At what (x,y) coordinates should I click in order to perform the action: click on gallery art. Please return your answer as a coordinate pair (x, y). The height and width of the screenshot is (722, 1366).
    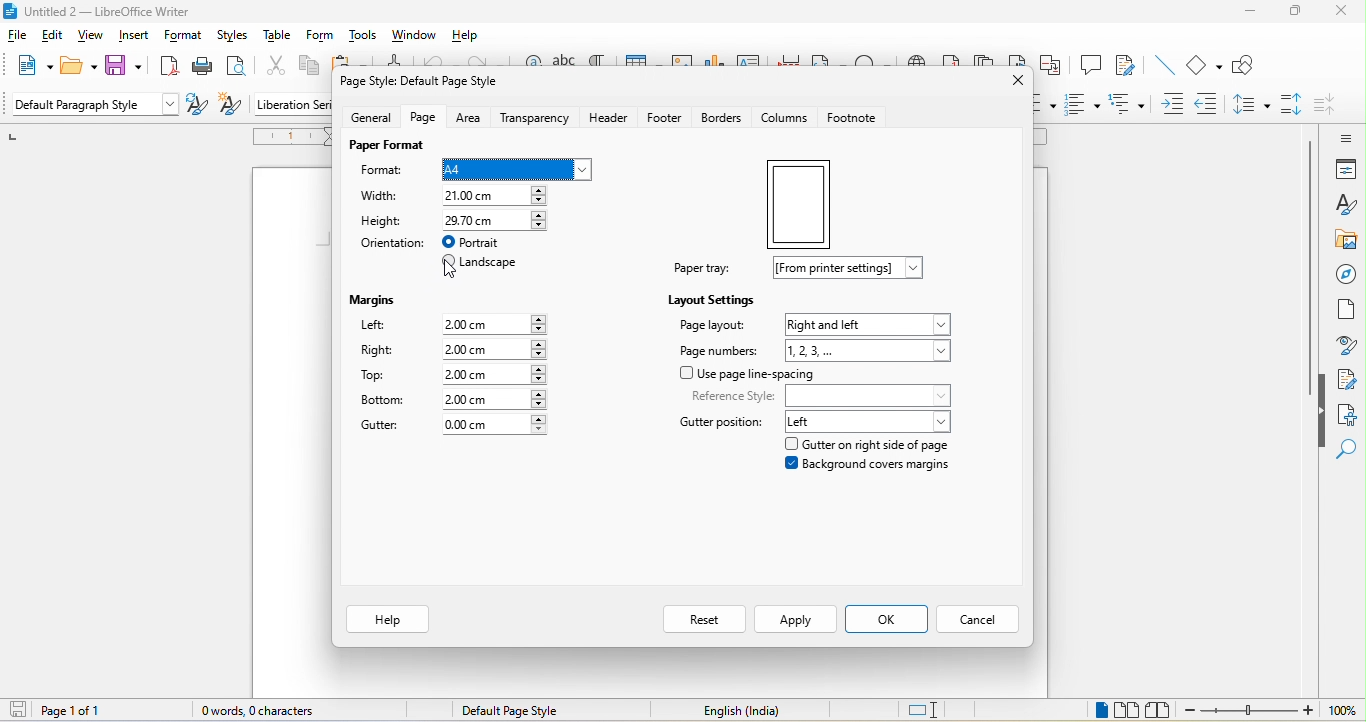
    Looking at the image, I should click on (1345, 241).